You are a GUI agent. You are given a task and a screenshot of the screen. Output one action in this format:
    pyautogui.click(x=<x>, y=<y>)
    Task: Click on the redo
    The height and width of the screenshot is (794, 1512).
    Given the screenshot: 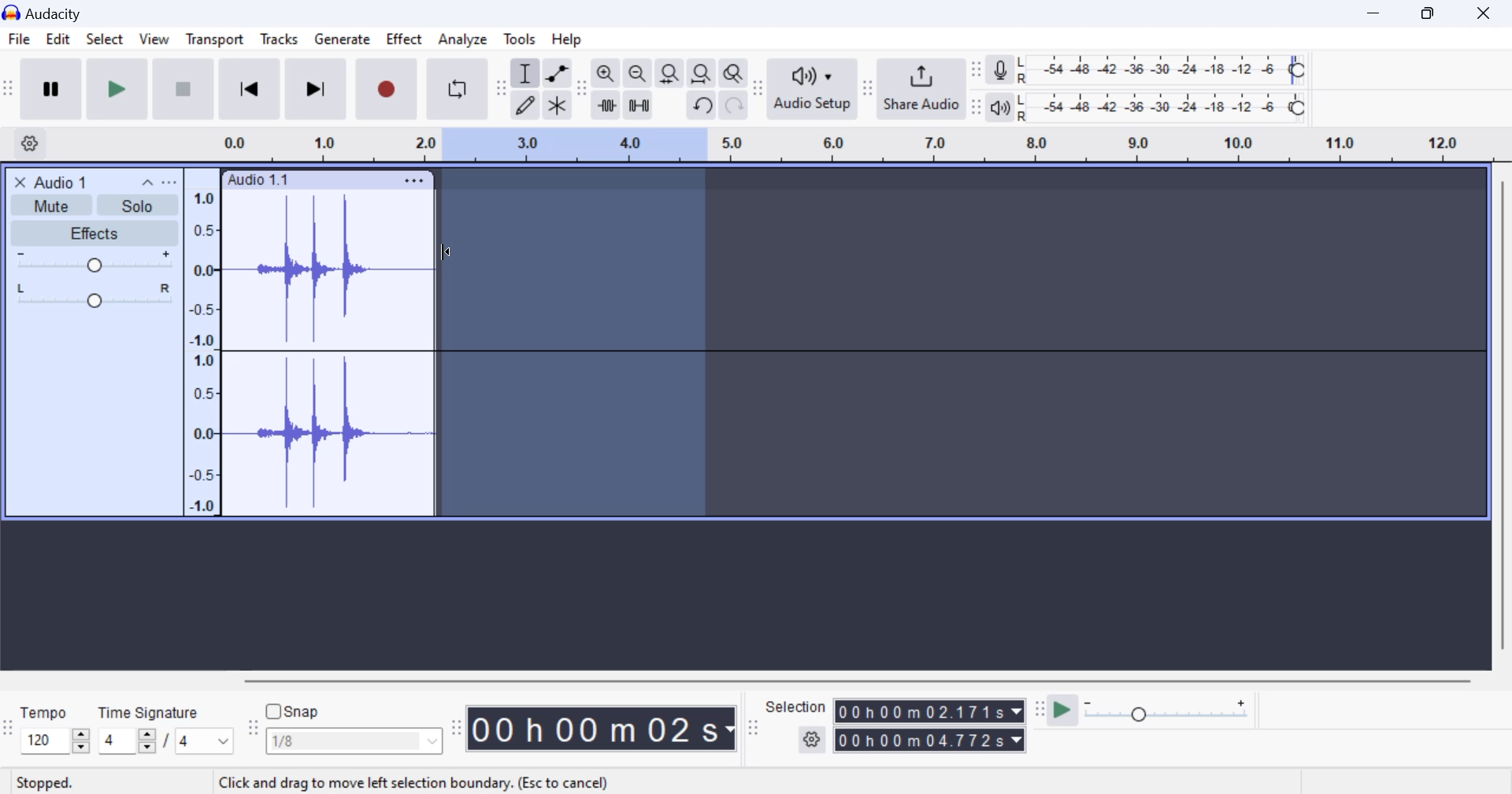 What is the action you would take?
    pyautogui.click(x=734, y=106)
    